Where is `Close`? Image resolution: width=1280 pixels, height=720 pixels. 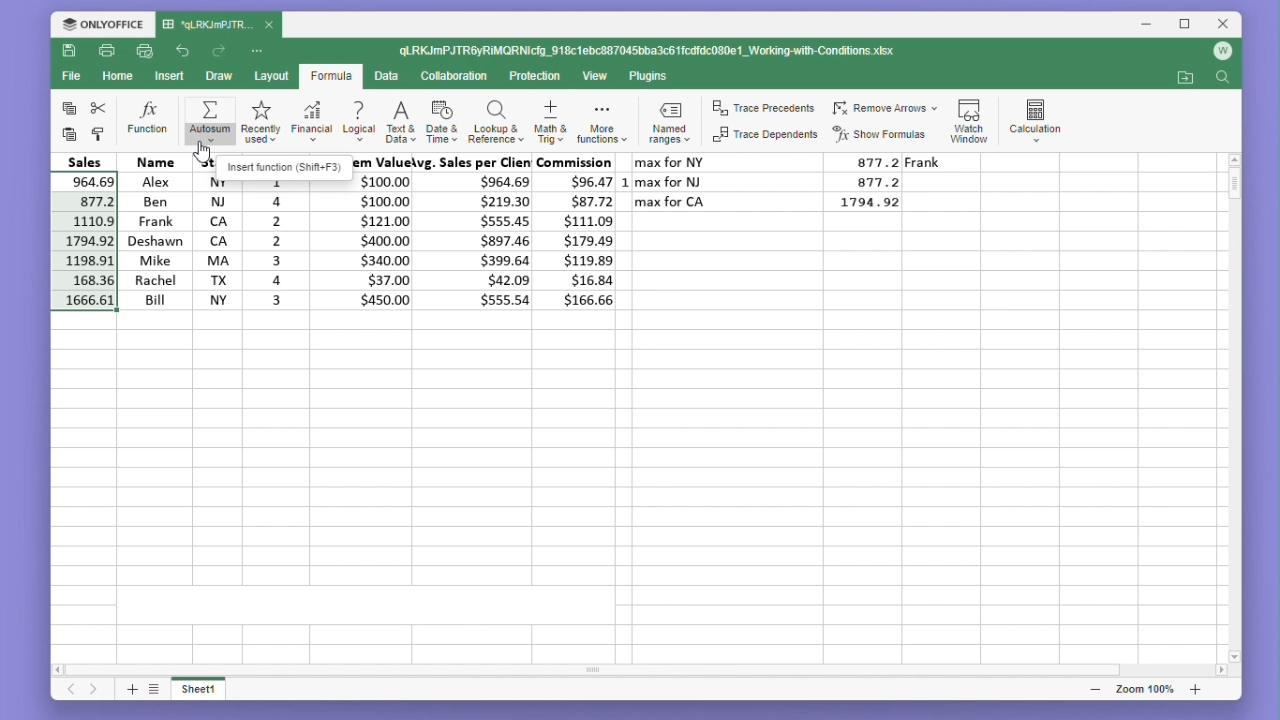 Close is located at coordinates (1218, 25).